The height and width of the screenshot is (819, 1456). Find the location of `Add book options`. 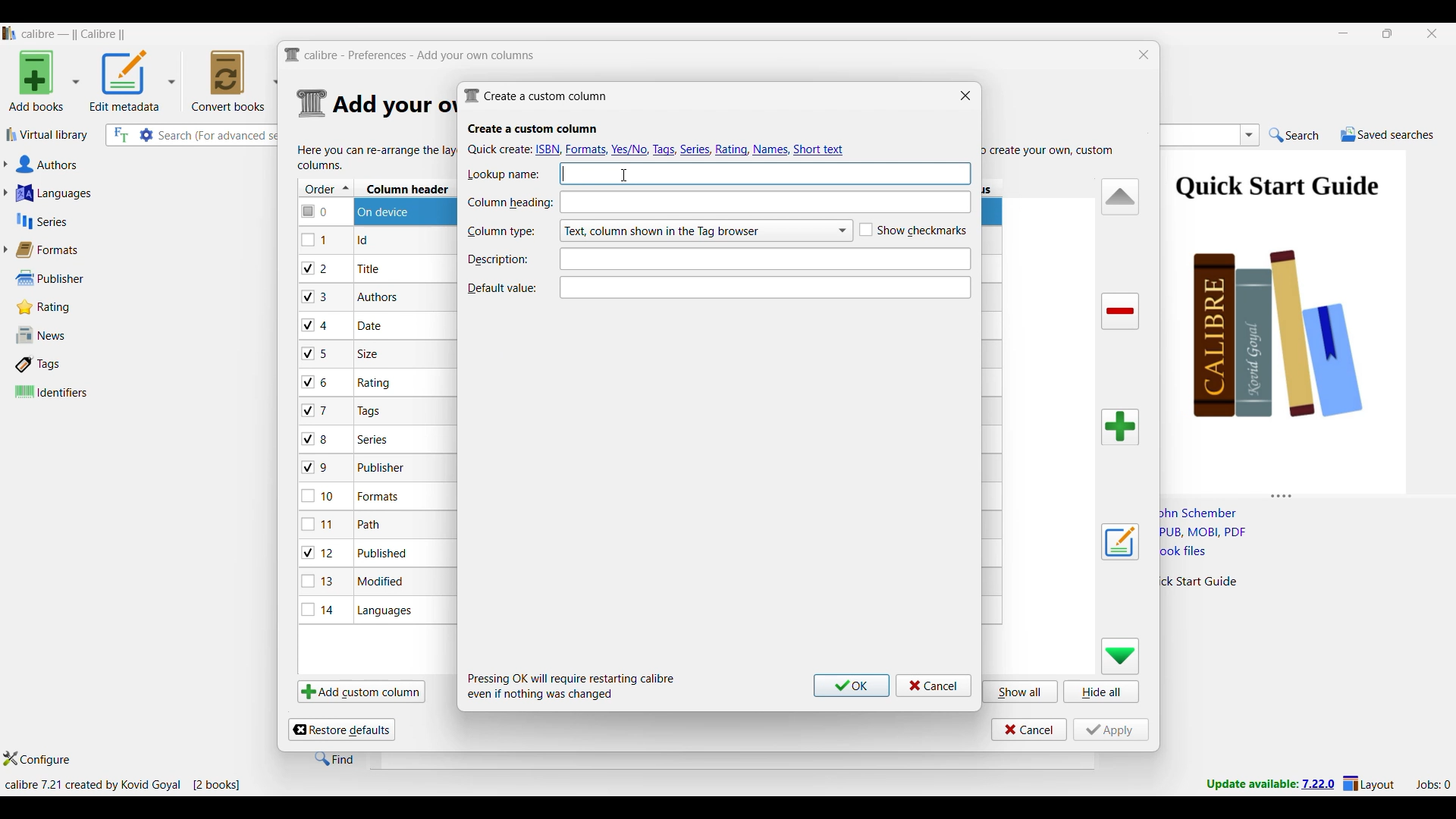

Add book options is located at coordinates (45, 80).